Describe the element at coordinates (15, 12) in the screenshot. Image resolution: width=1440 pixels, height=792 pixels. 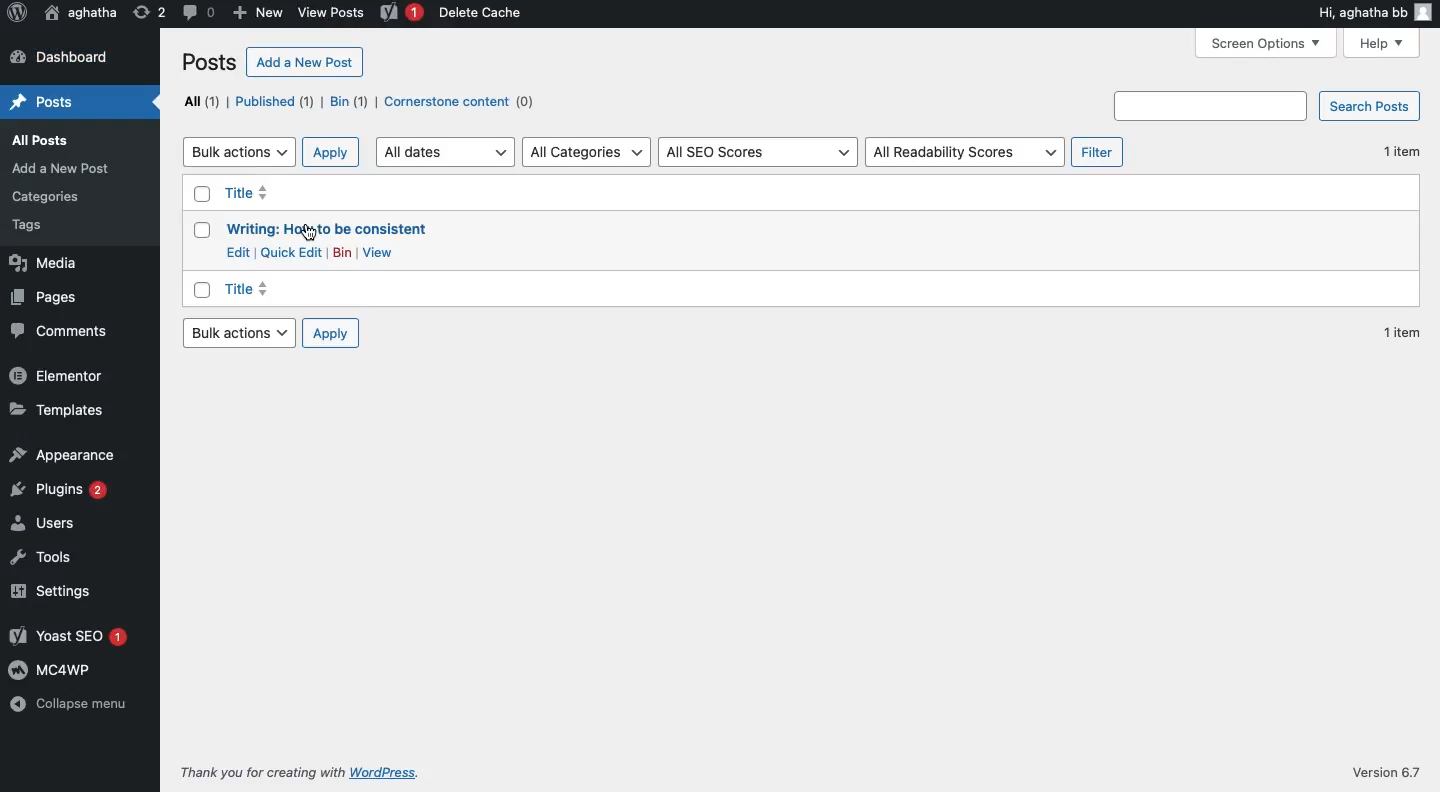
I see `Wordpress logo` at that location.